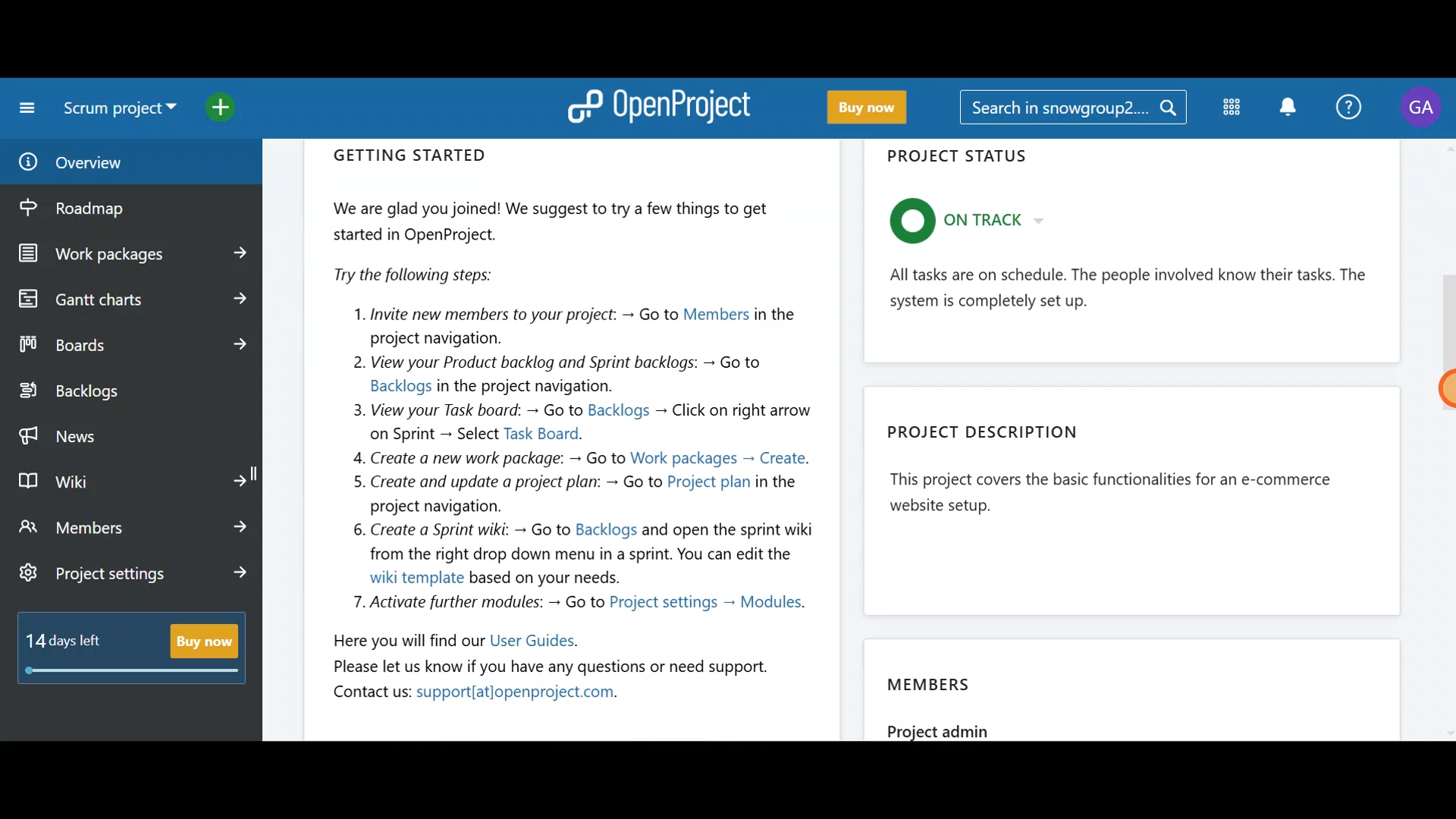  I want to click on Modules, so click(1228, 111).